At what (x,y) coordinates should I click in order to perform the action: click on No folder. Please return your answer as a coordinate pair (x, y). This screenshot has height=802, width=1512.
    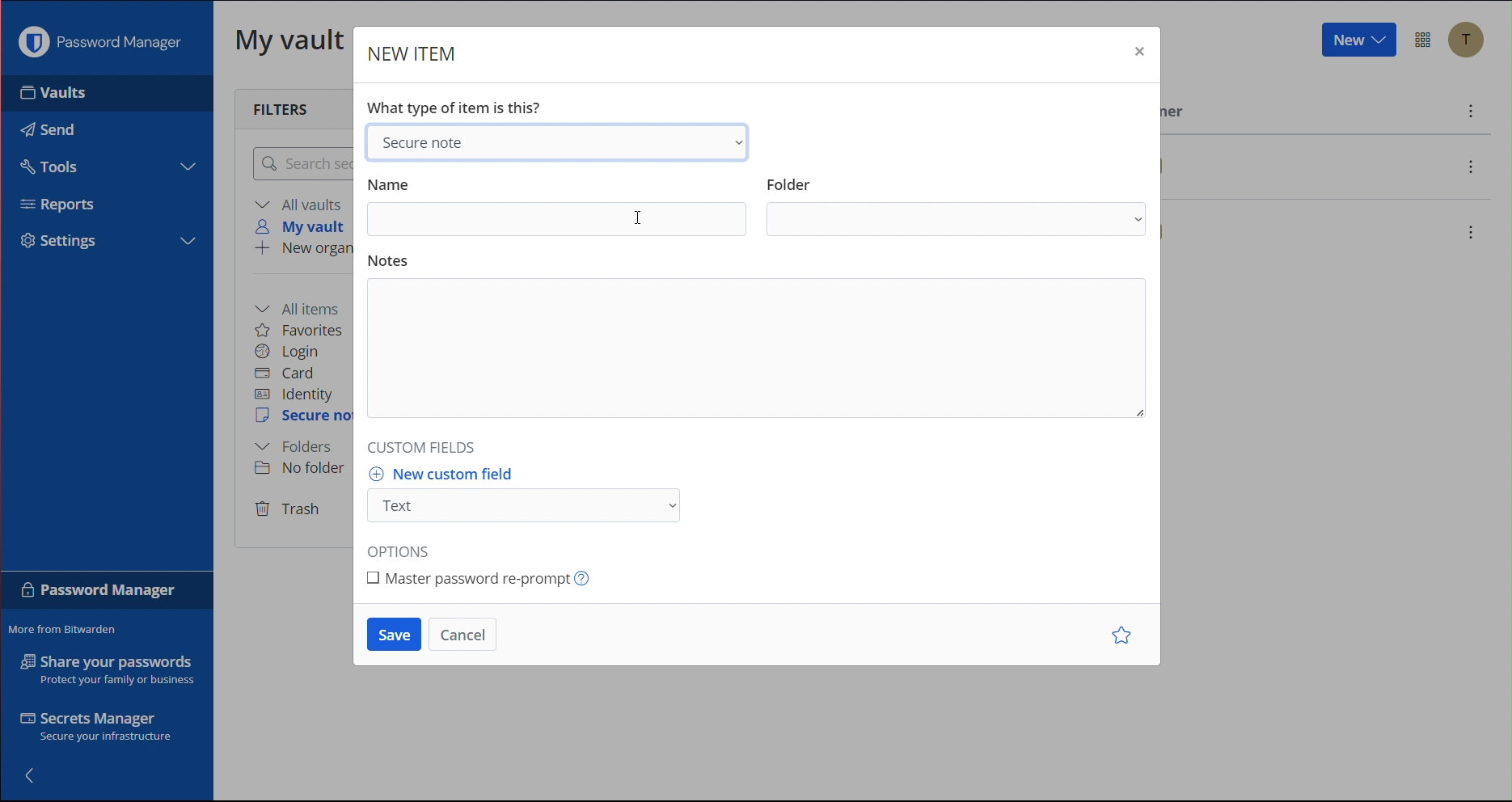
    Looking at the image, I should click on (299, 471).